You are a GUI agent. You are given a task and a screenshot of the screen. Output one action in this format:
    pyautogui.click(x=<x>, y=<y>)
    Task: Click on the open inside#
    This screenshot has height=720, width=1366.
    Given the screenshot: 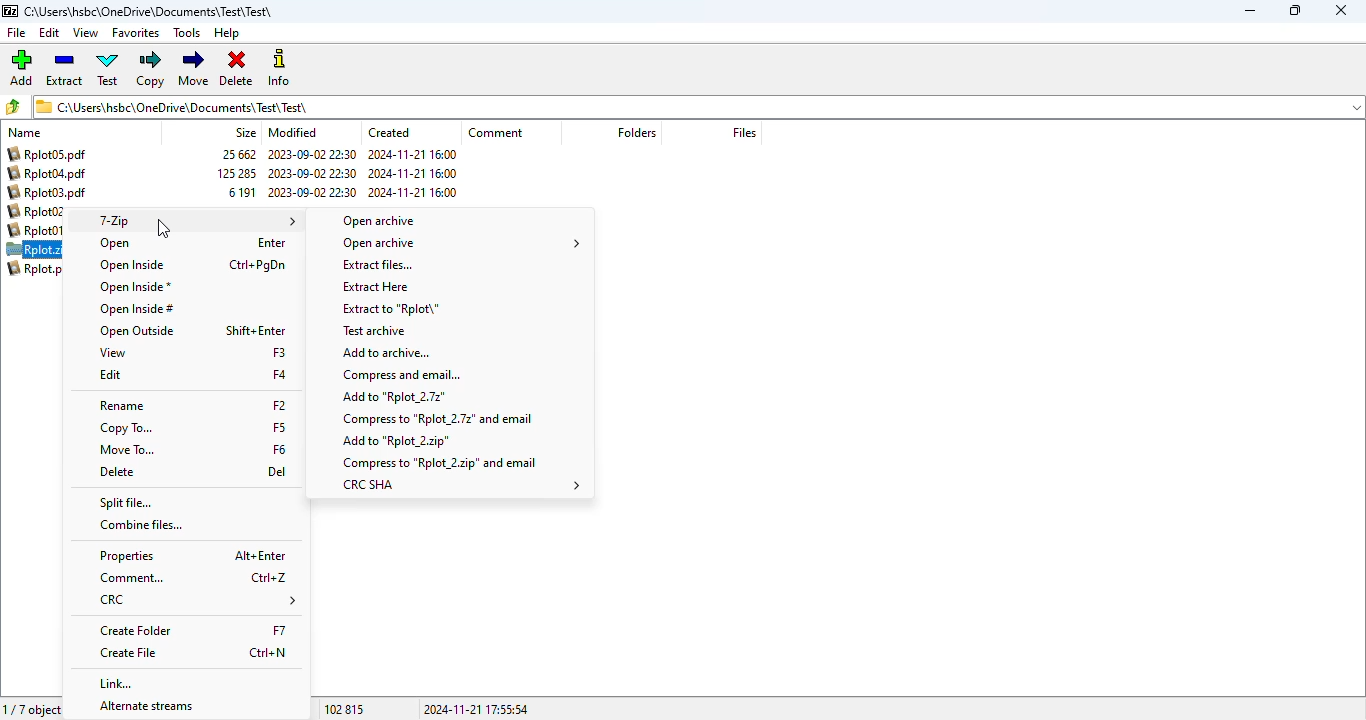 What is the action you would take?
    pyautogui.click(x=136, y=309)
    